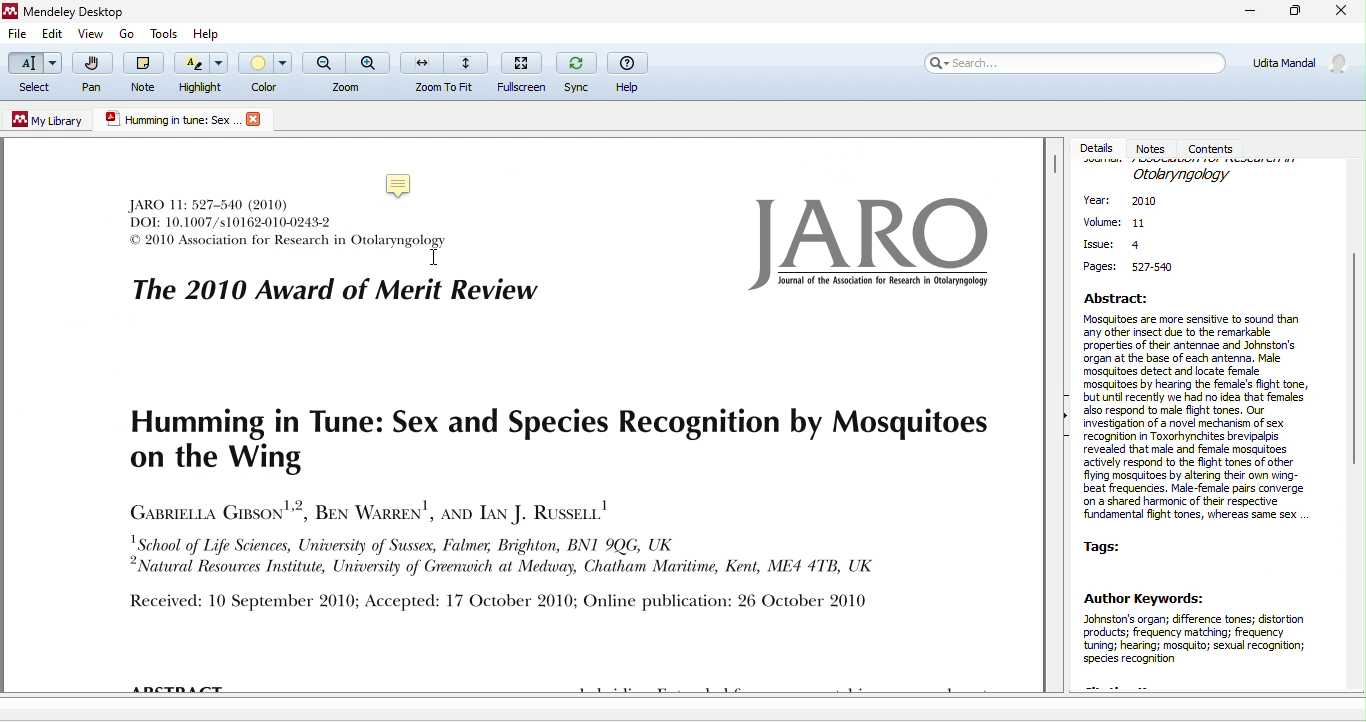  What do you see at coordinates (33, 74) in the screenshot?
I see `select` at bounding box center [33, 74].